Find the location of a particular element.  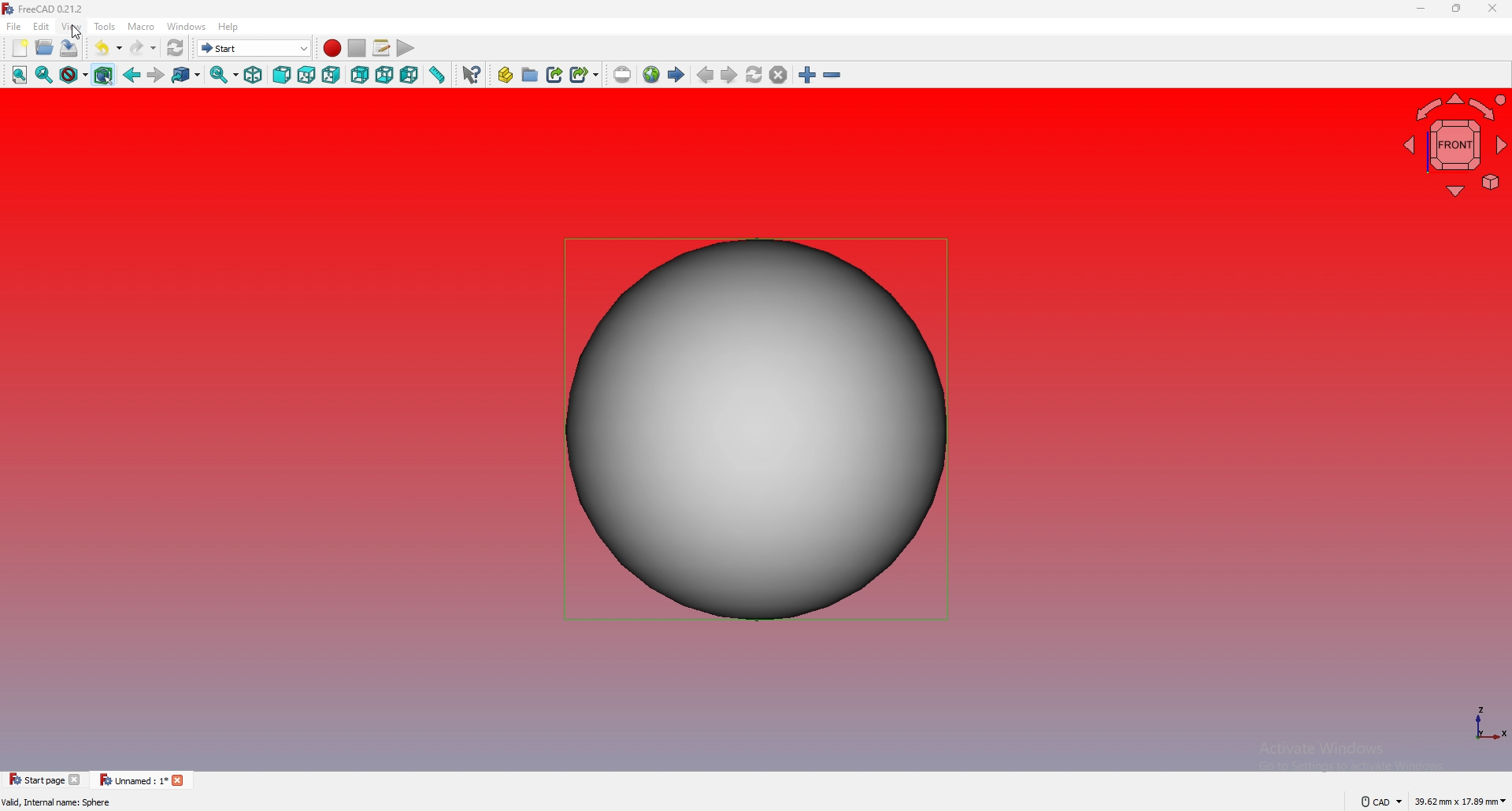

minimize is located at coordinates (1420, 9).